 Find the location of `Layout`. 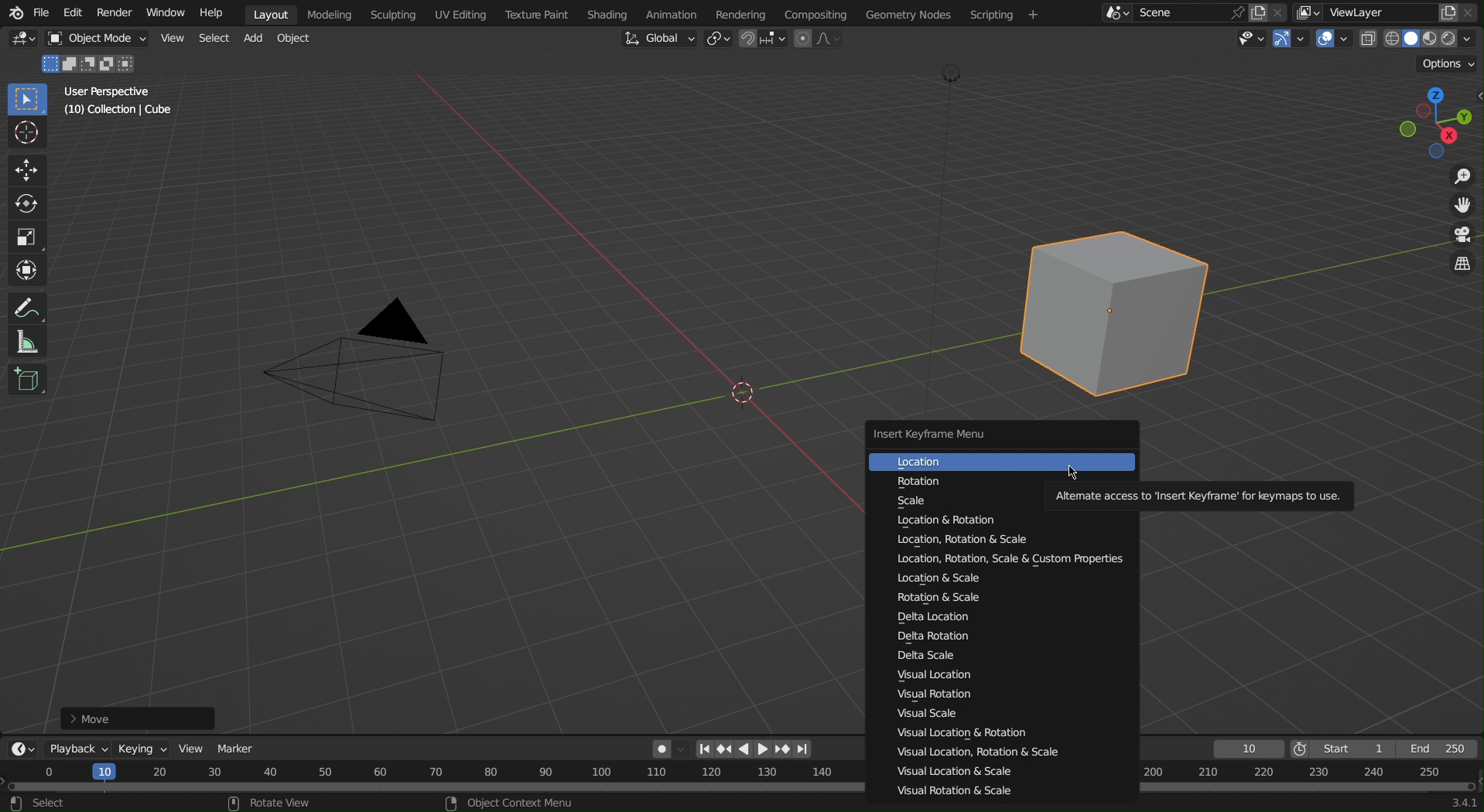

Layout is located at coordinates (274, 12).